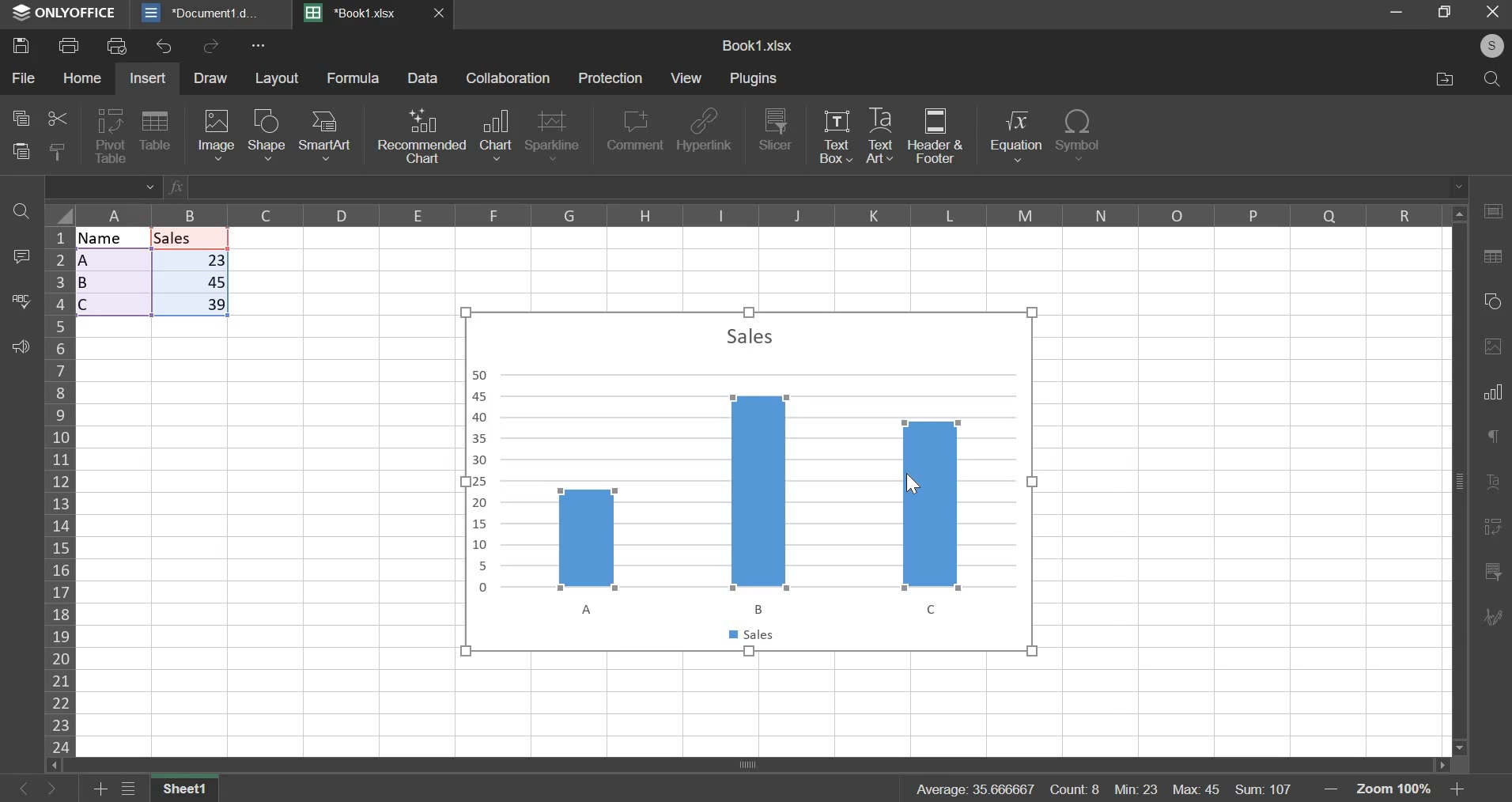 The width and height of the screenshot is (1512, 802). What do you see at coordinates (18, 211) in the screenshot?
I see `find` at bounding box center [18, 211].